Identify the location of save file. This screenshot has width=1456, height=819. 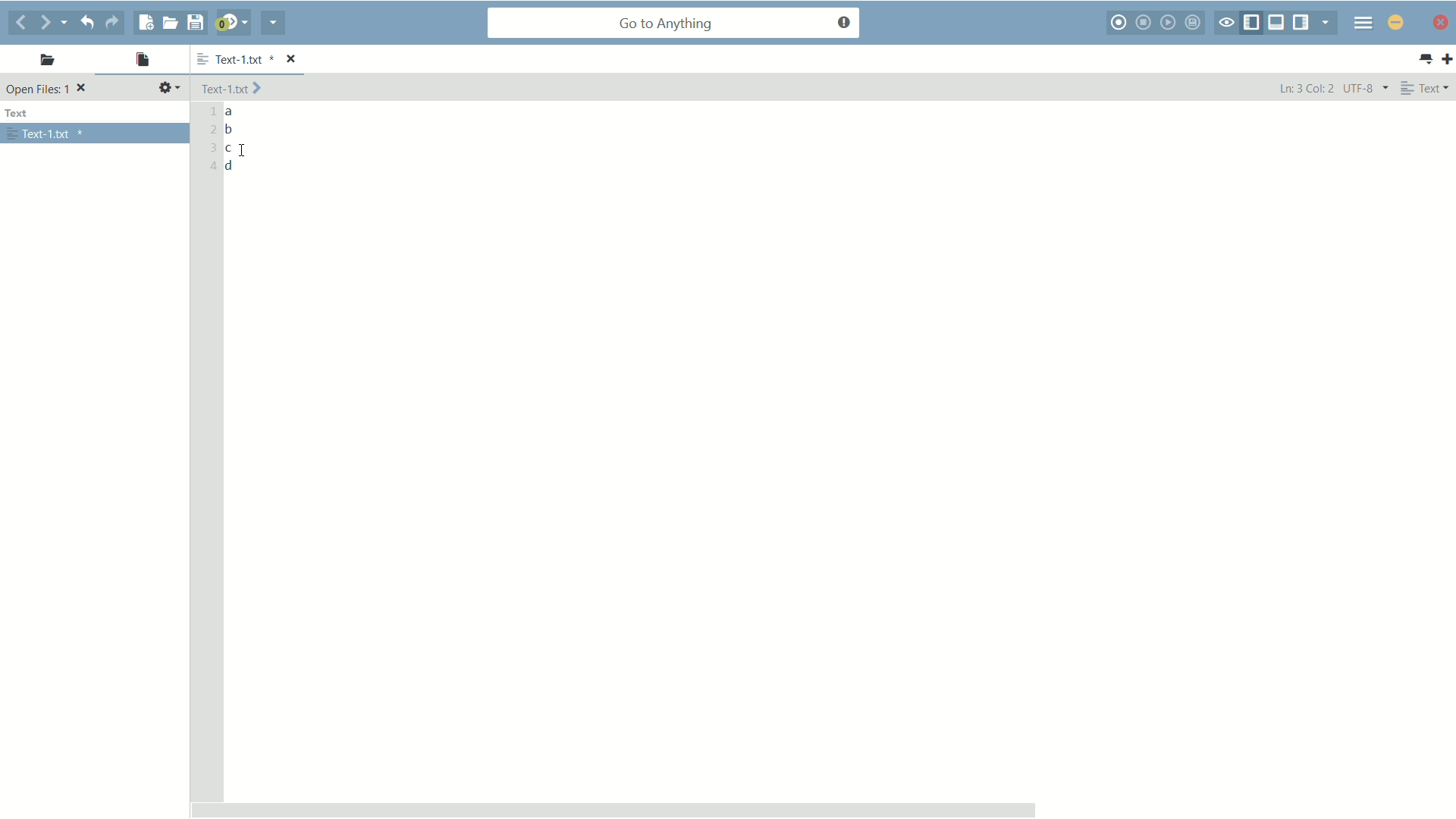
(198, 22).